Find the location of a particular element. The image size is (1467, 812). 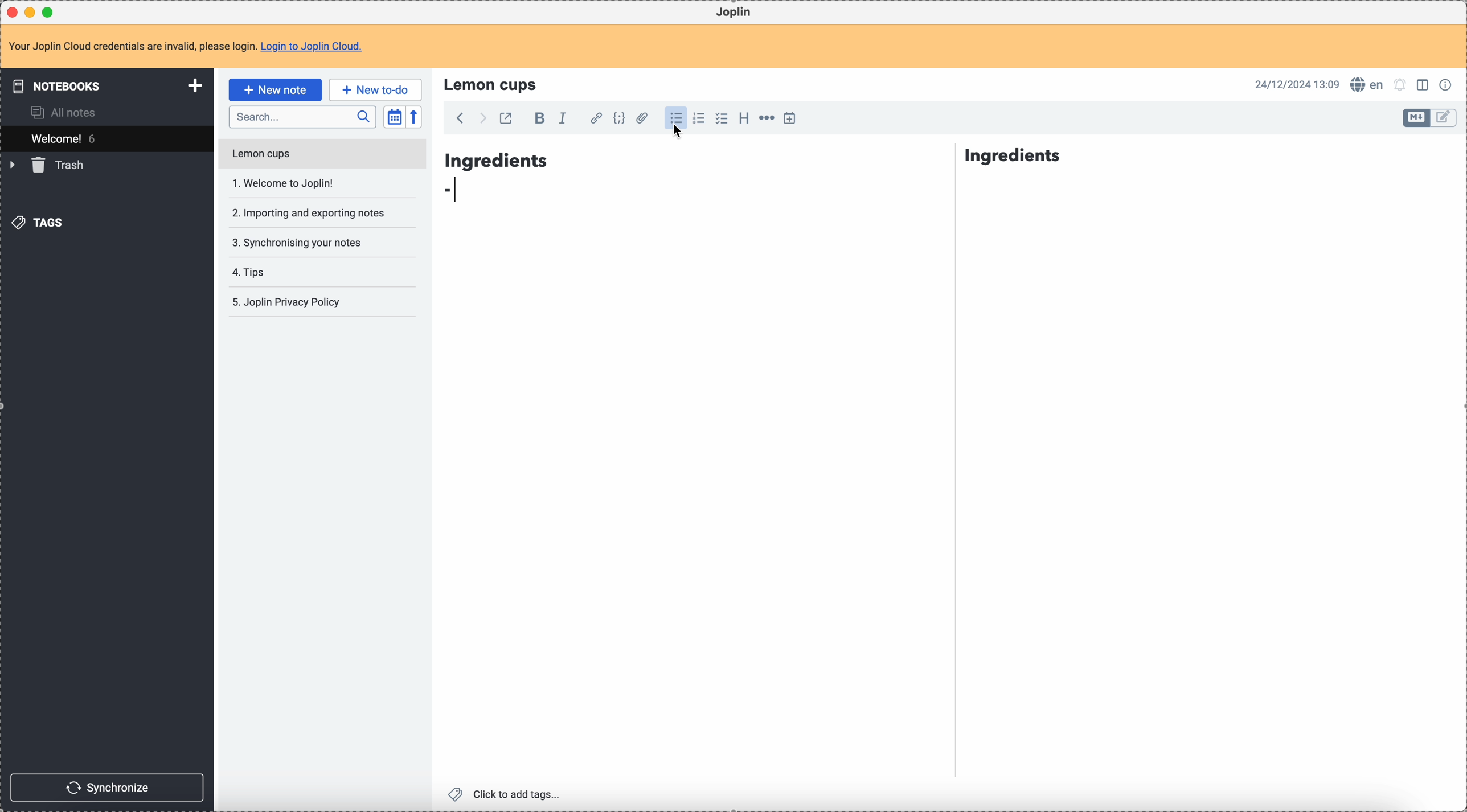

toggle edit layout is located at coordinates (1424, 84).